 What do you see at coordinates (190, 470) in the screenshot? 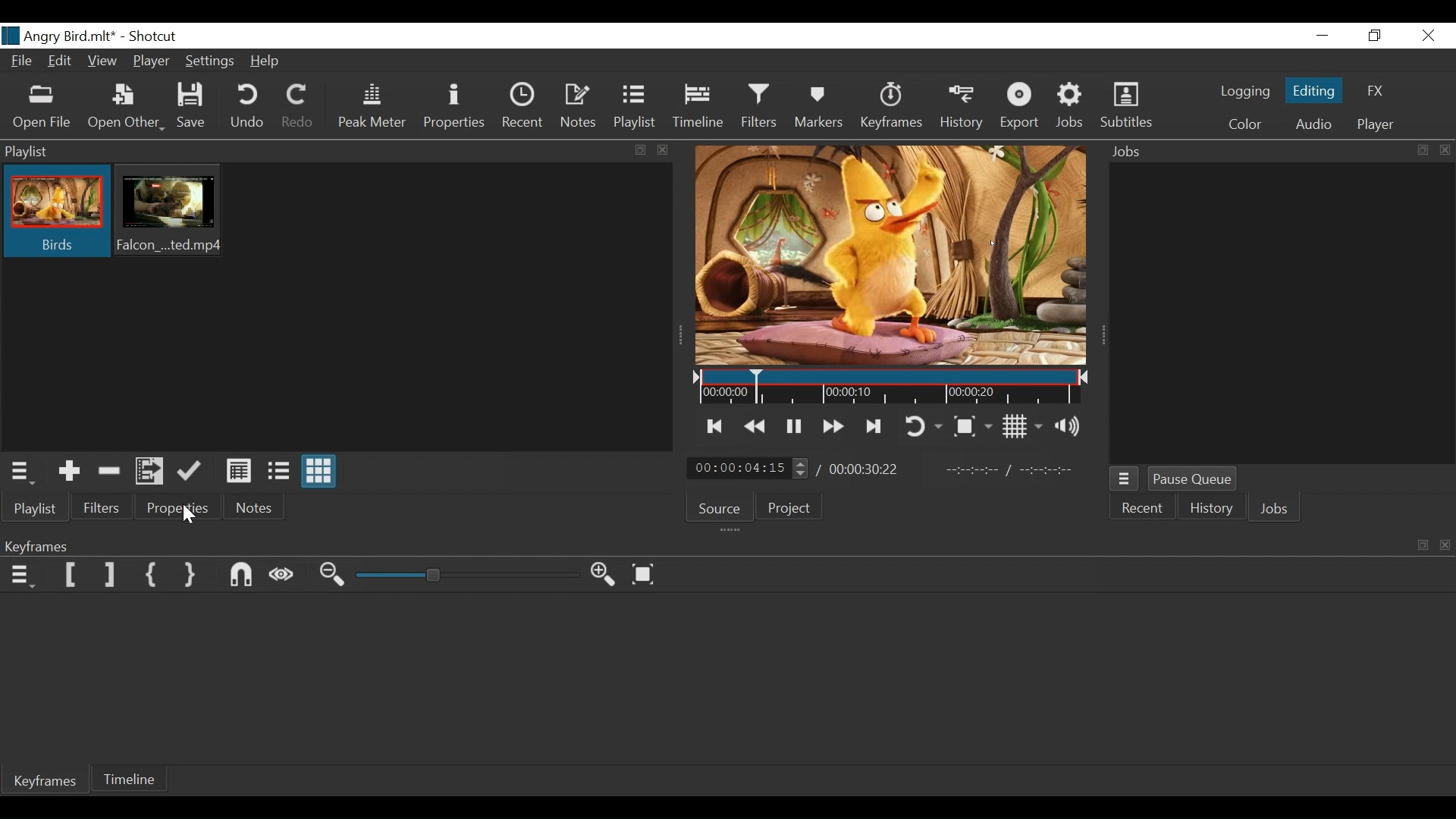
I see `Update` at bounding box center [190, 470].